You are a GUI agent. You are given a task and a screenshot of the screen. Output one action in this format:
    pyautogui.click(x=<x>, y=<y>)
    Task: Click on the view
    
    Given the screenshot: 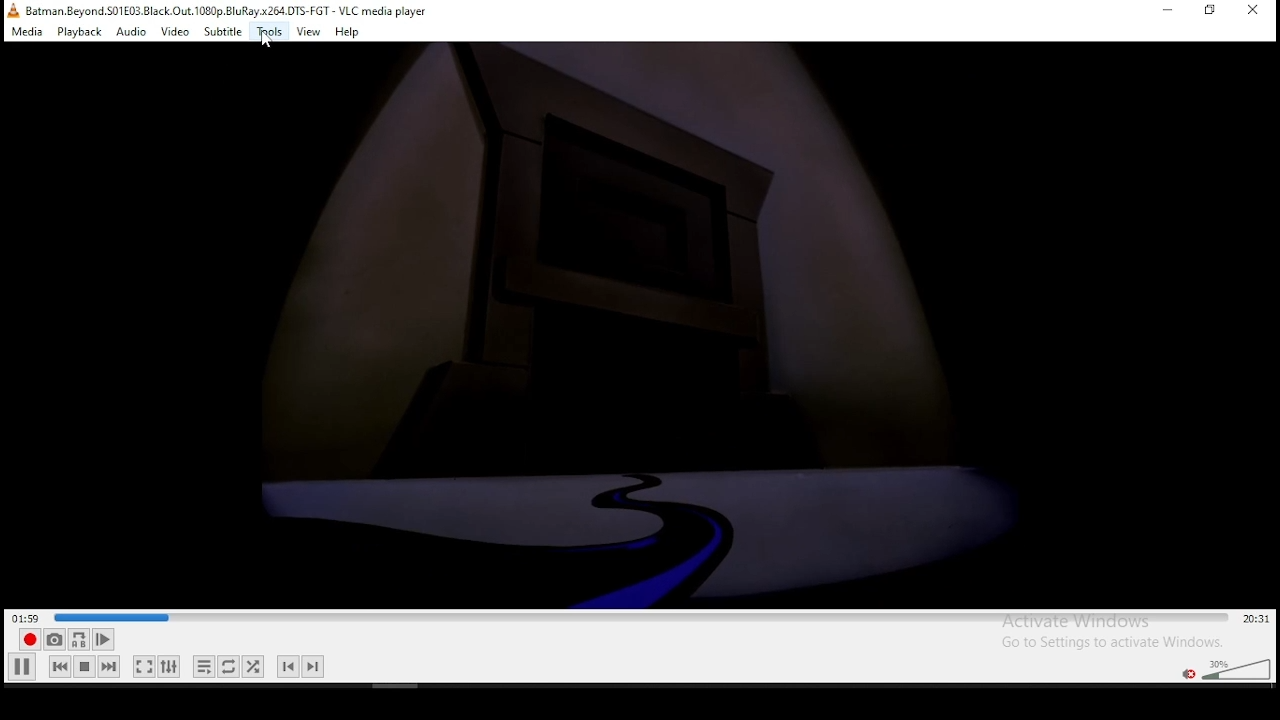 What is the action you would take?
    pyautogui.click(x=309, y=31)
    